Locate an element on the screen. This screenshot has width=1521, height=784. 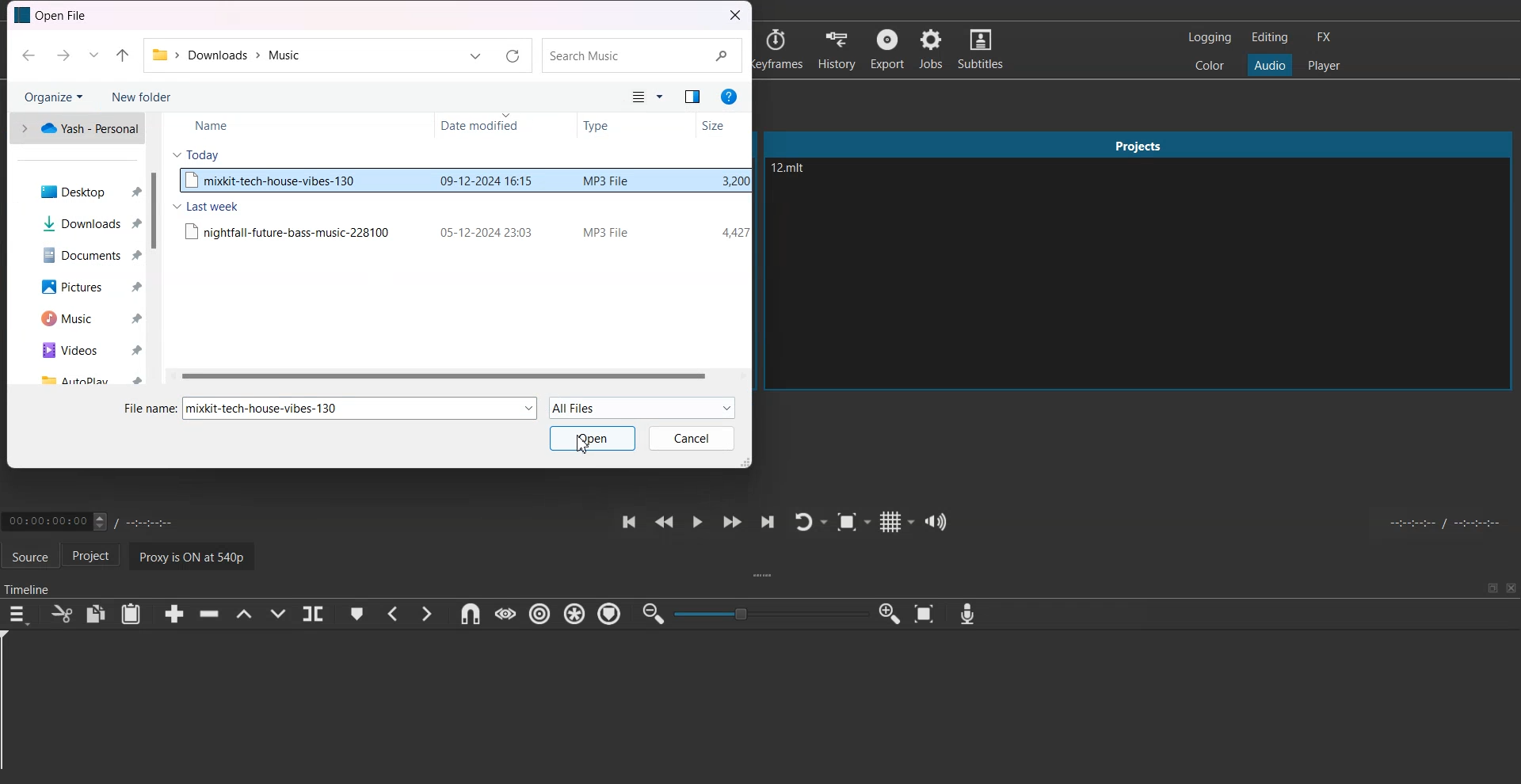
Adjust Time Selector is located at coordinates (93, 519).